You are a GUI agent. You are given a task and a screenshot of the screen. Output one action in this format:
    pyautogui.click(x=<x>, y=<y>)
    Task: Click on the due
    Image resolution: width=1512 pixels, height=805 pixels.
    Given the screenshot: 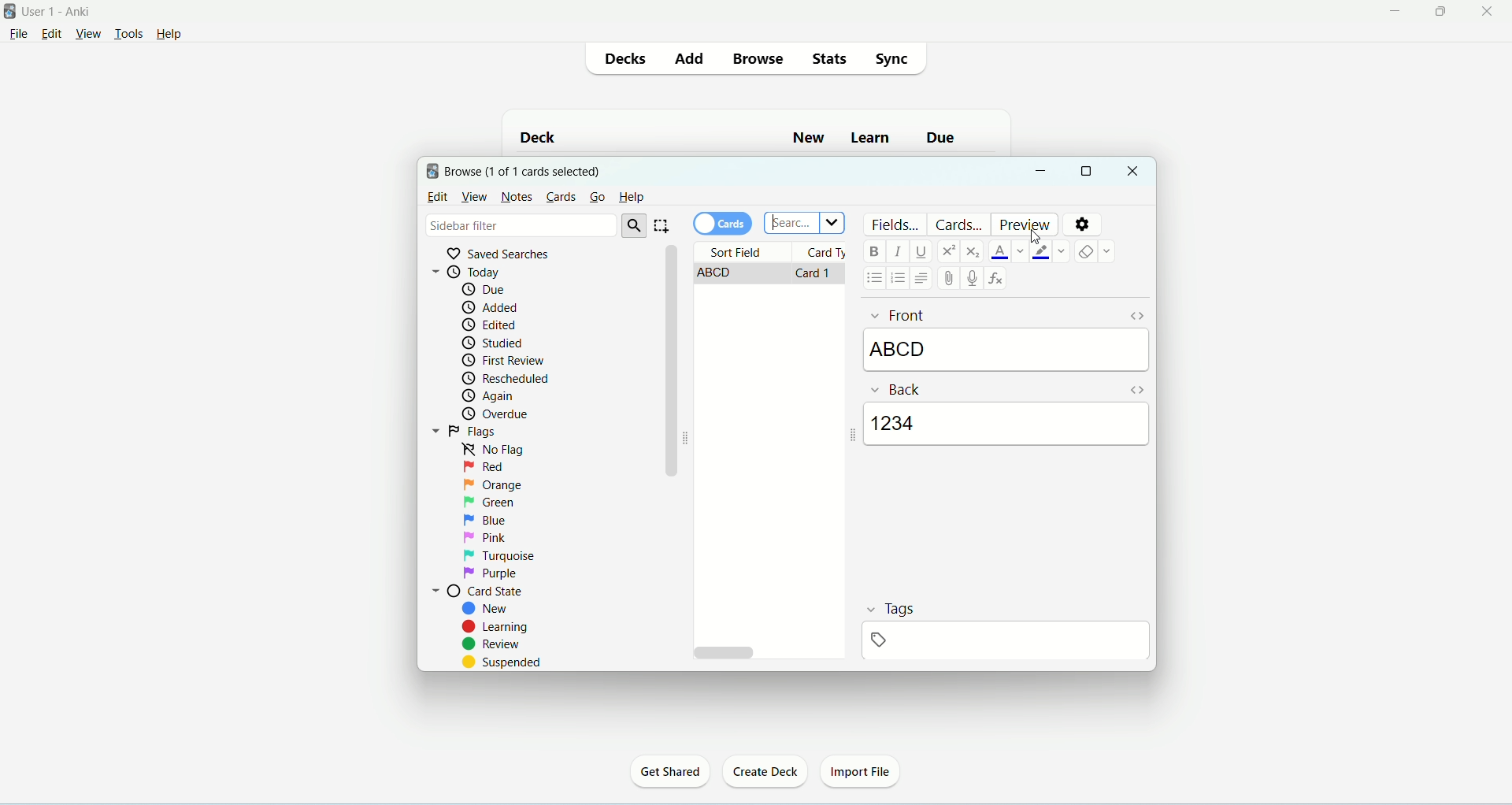 What is the action you would take?
    pyautogui.click(x=488, y=289)
    